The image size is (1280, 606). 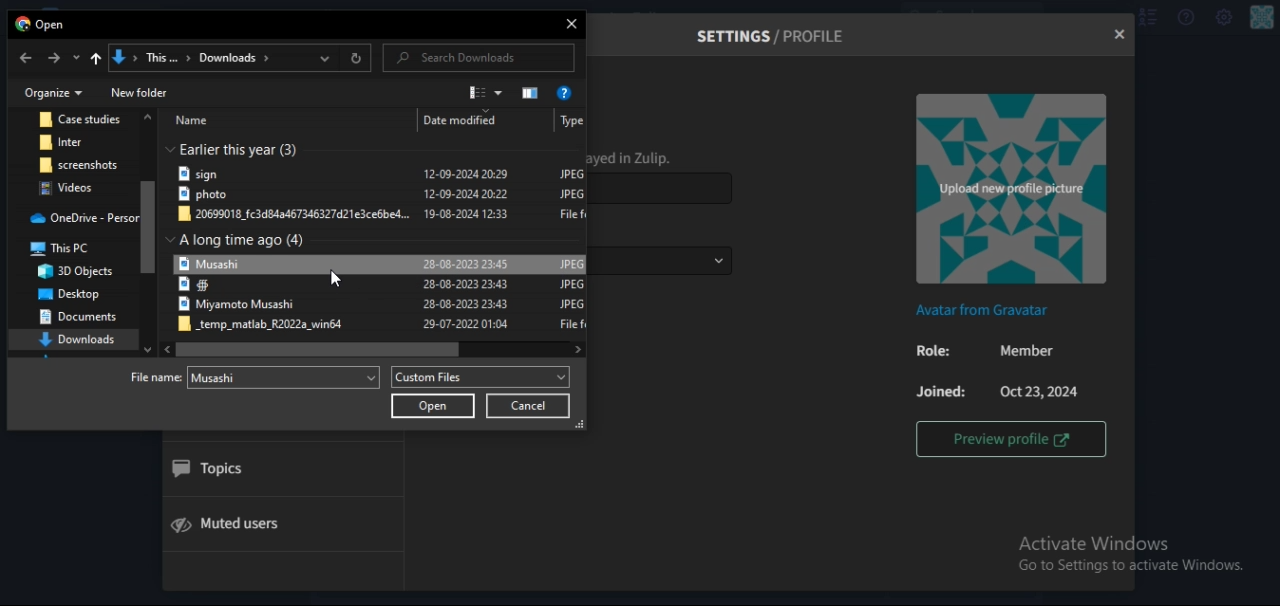 What do you see at coordinates (528, 406) in the screenshot?
I see `cancel` at bounding box center [528, 406].